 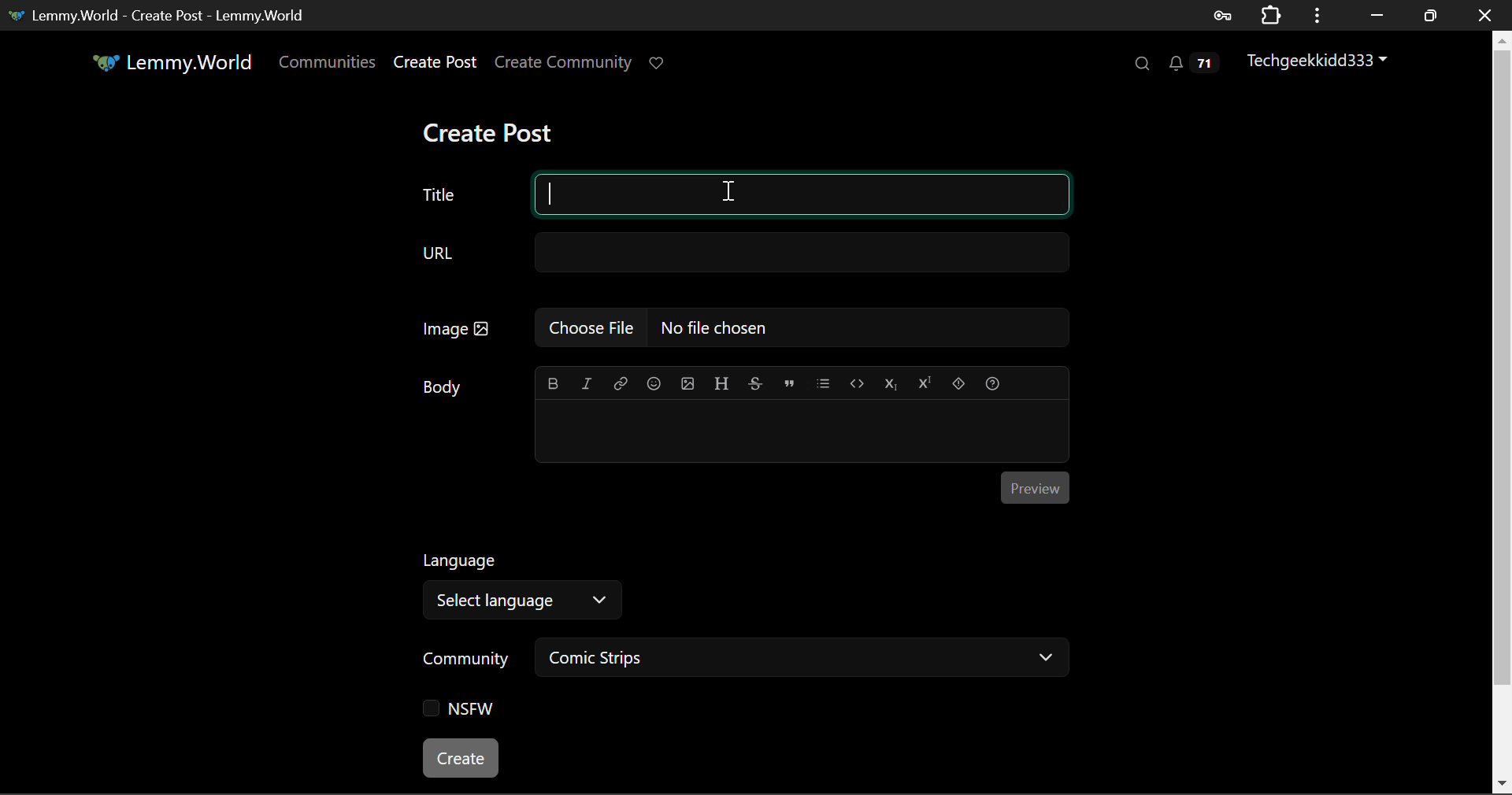 I want to click on upload image, so click(x=686, y=381).